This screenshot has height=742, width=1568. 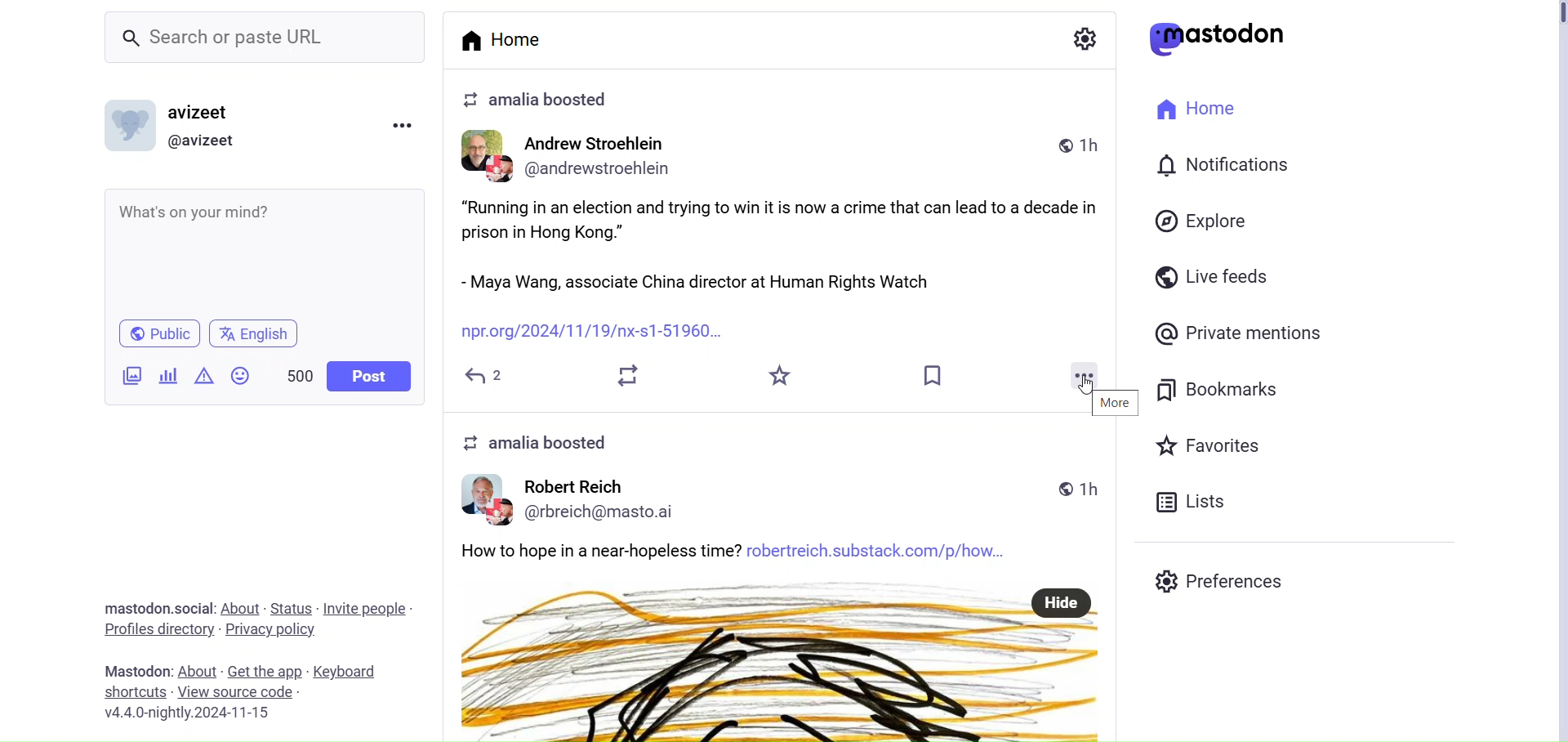 What do you see at coordinates (1214, 275) in the screenshot?
I see `Live Feeds` at bounding box center [1214, 275].